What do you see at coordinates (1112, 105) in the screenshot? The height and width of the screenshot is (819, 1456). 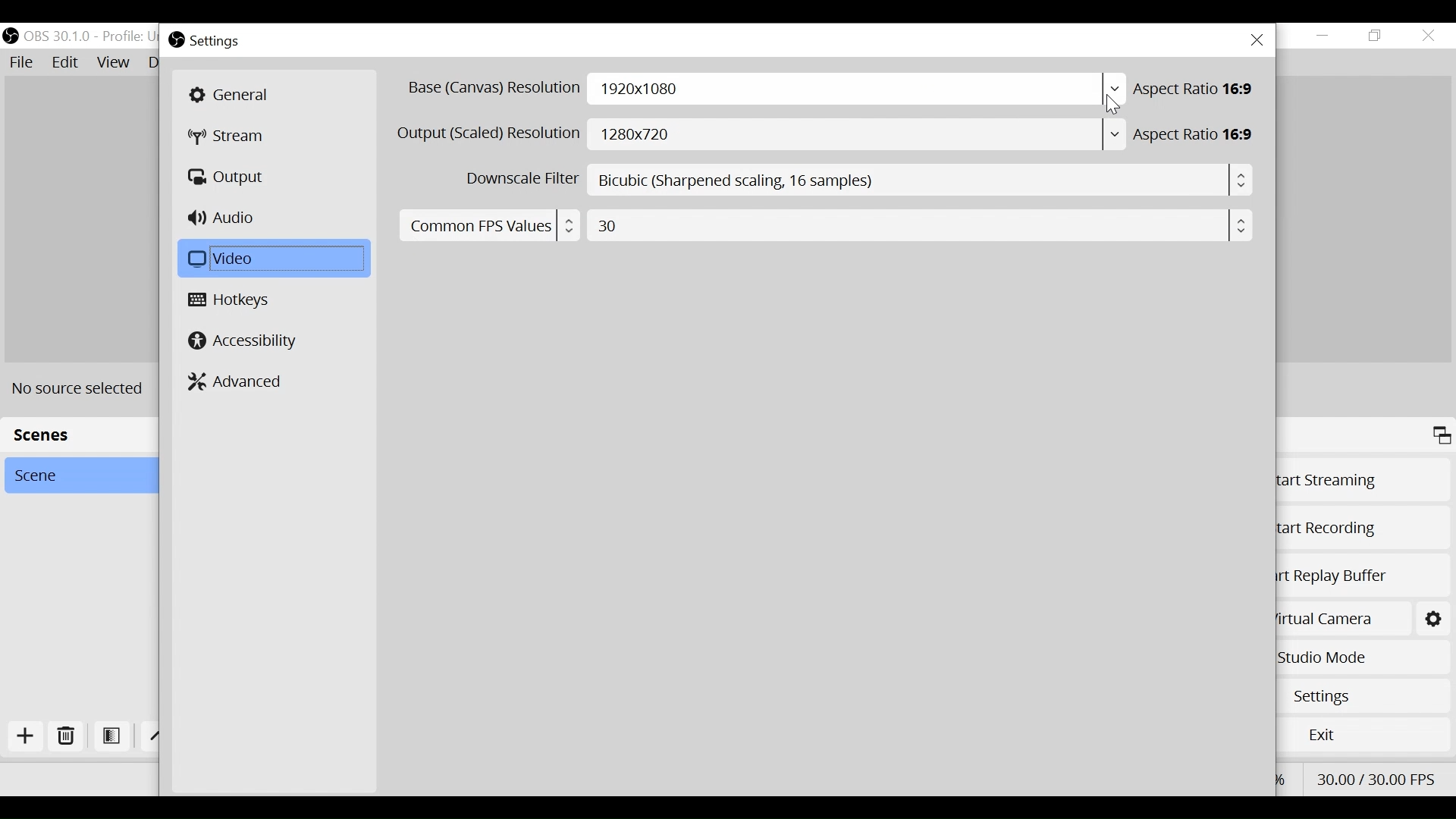 I see `Cursor` at bounding box center [1112, 105].